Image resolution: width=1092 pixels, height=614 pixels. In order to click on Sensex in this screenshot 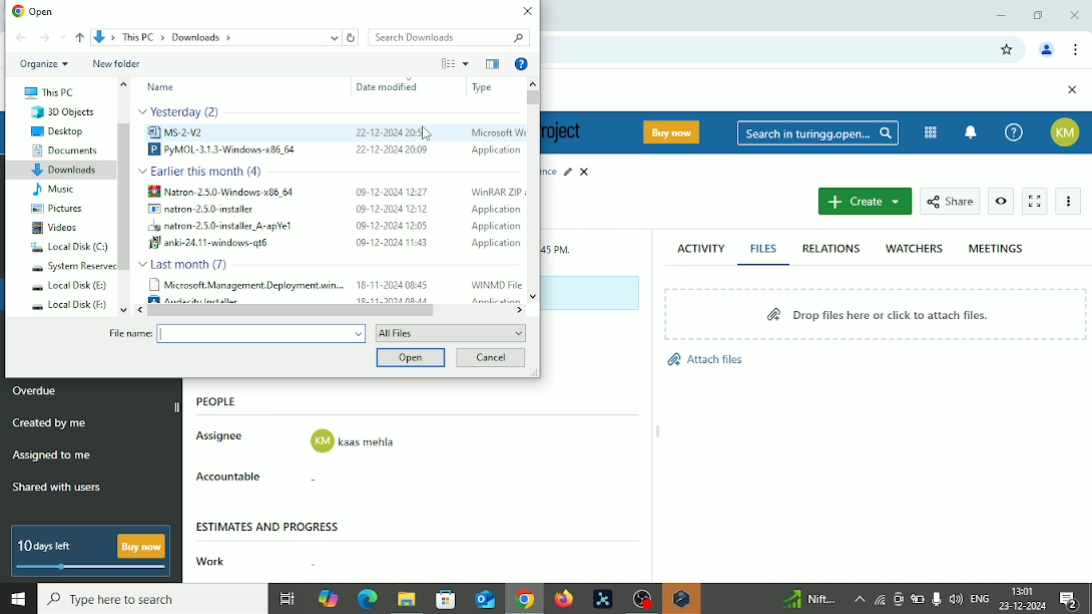, I will do `click(807, 599)`.